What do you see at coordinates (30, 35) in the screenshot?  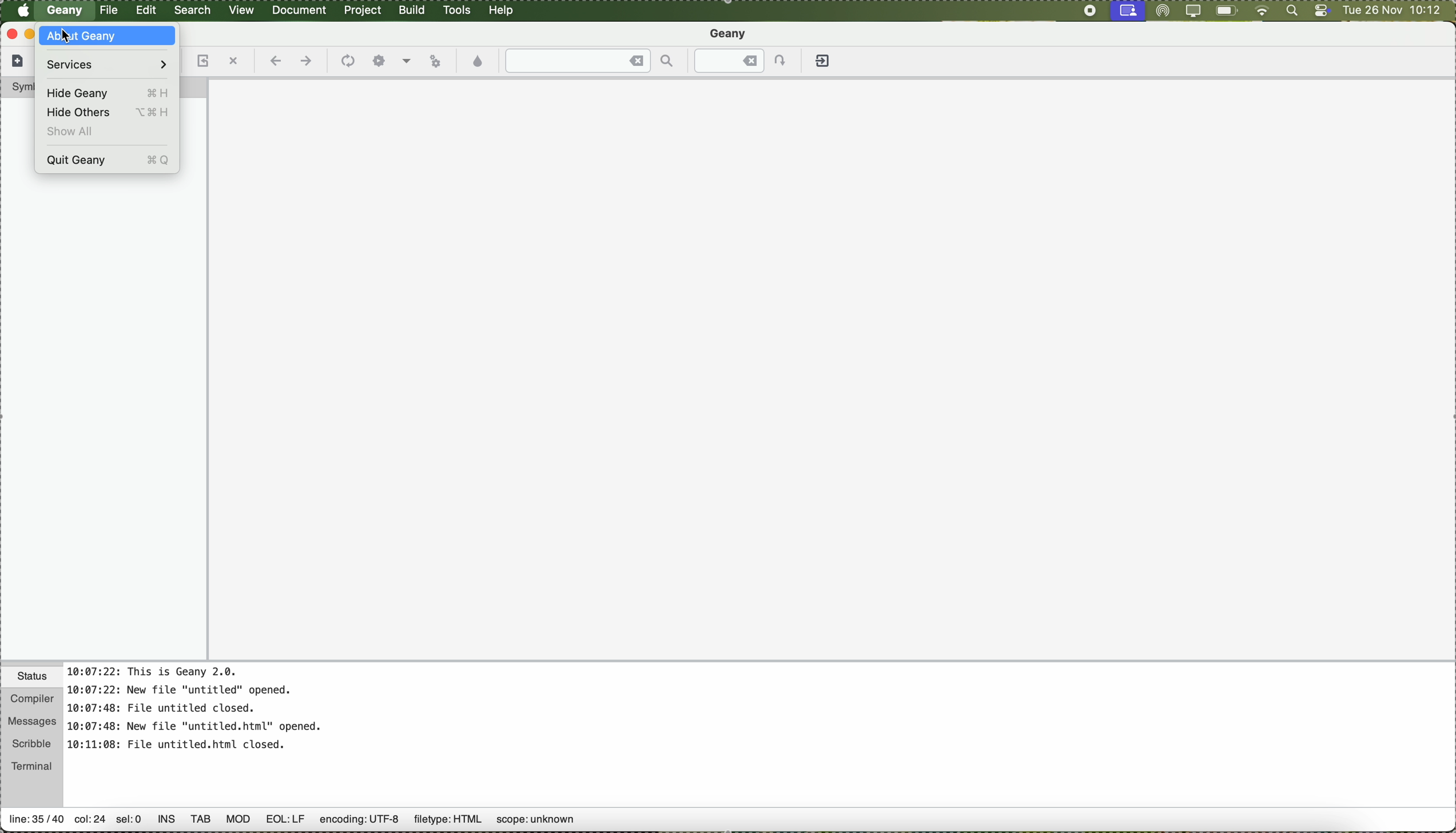 I see `minimize Geany` at bounding box center [30, 35].